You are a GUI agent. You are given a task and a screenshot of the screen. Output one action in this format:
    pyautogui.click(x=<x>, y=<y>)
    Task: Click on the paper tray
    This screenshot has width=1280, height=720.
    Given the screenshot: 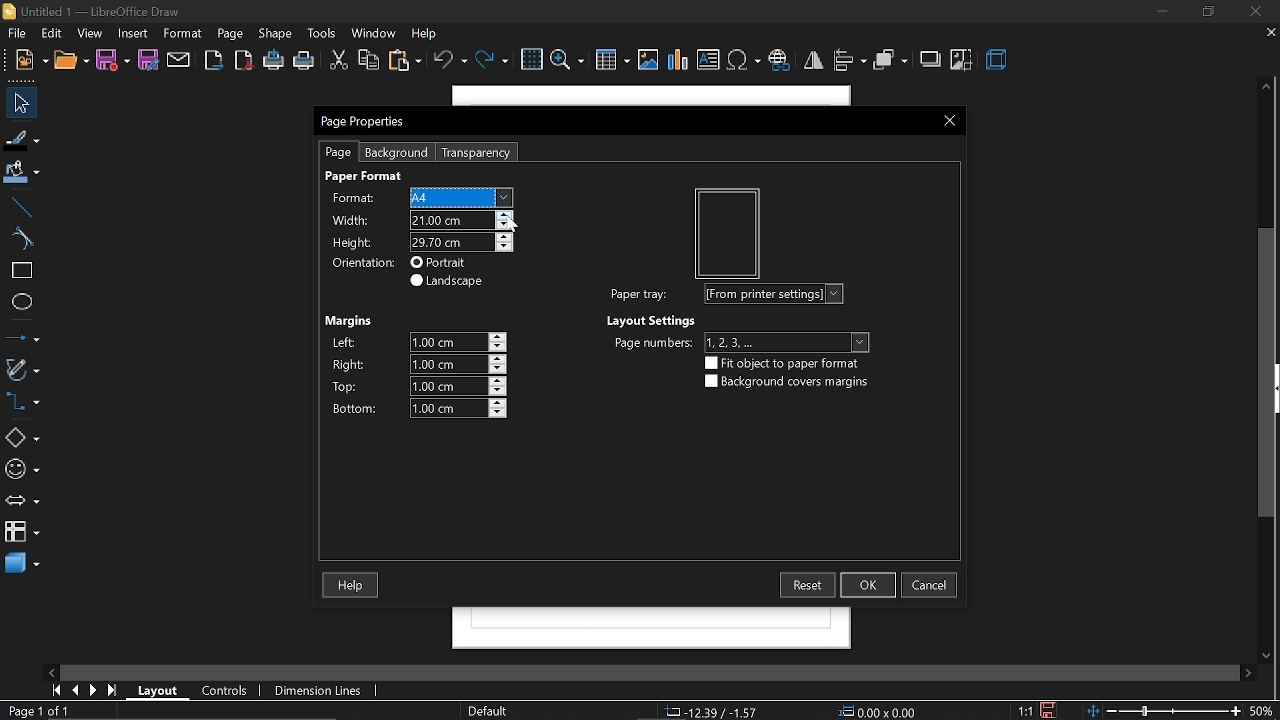 What is the action you would take?
    pyautogui.click(x=641, y=297)
    